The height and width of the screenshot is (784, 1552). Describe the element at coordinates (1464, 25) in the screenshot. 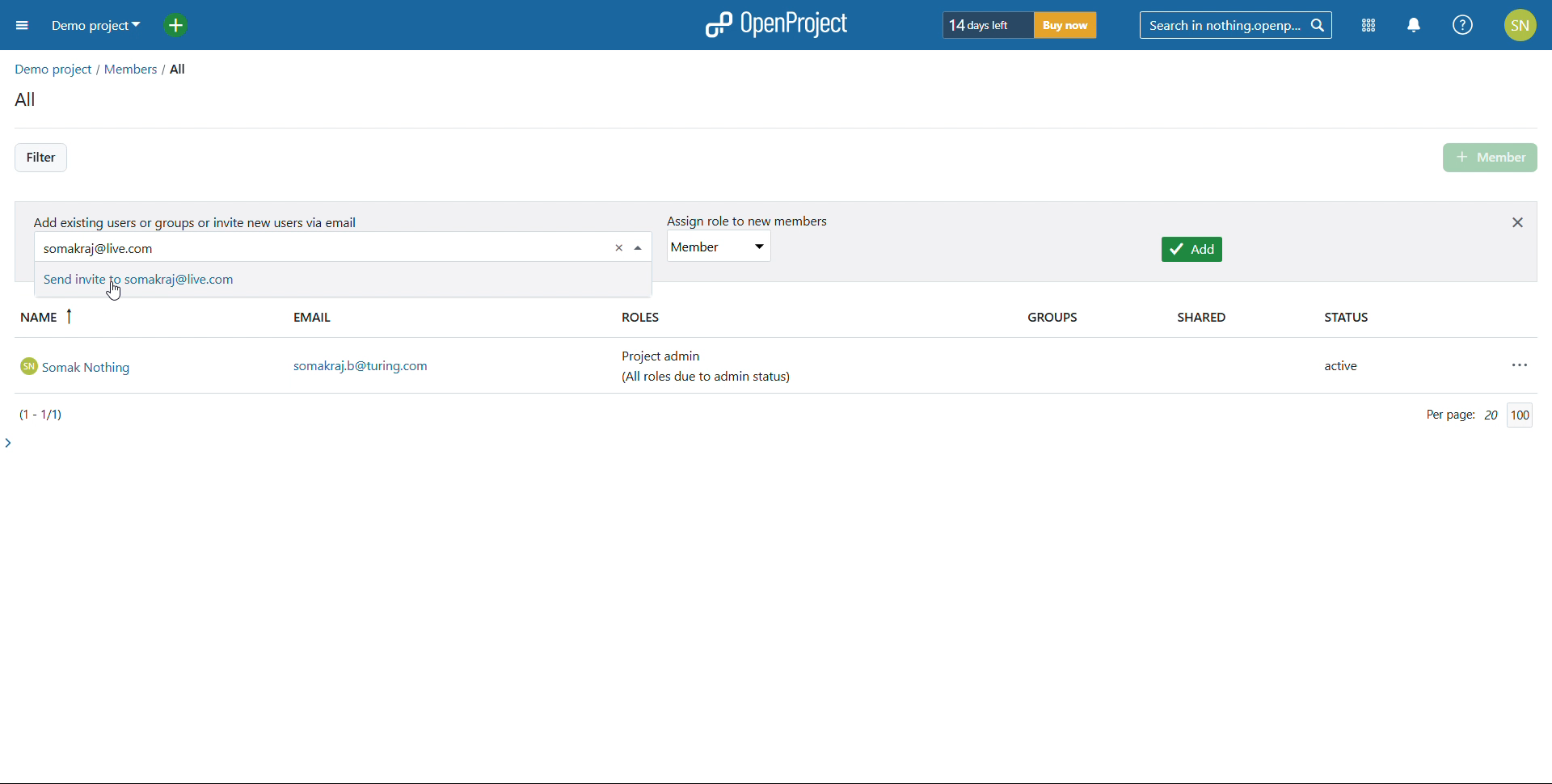

I see `help` at that location.